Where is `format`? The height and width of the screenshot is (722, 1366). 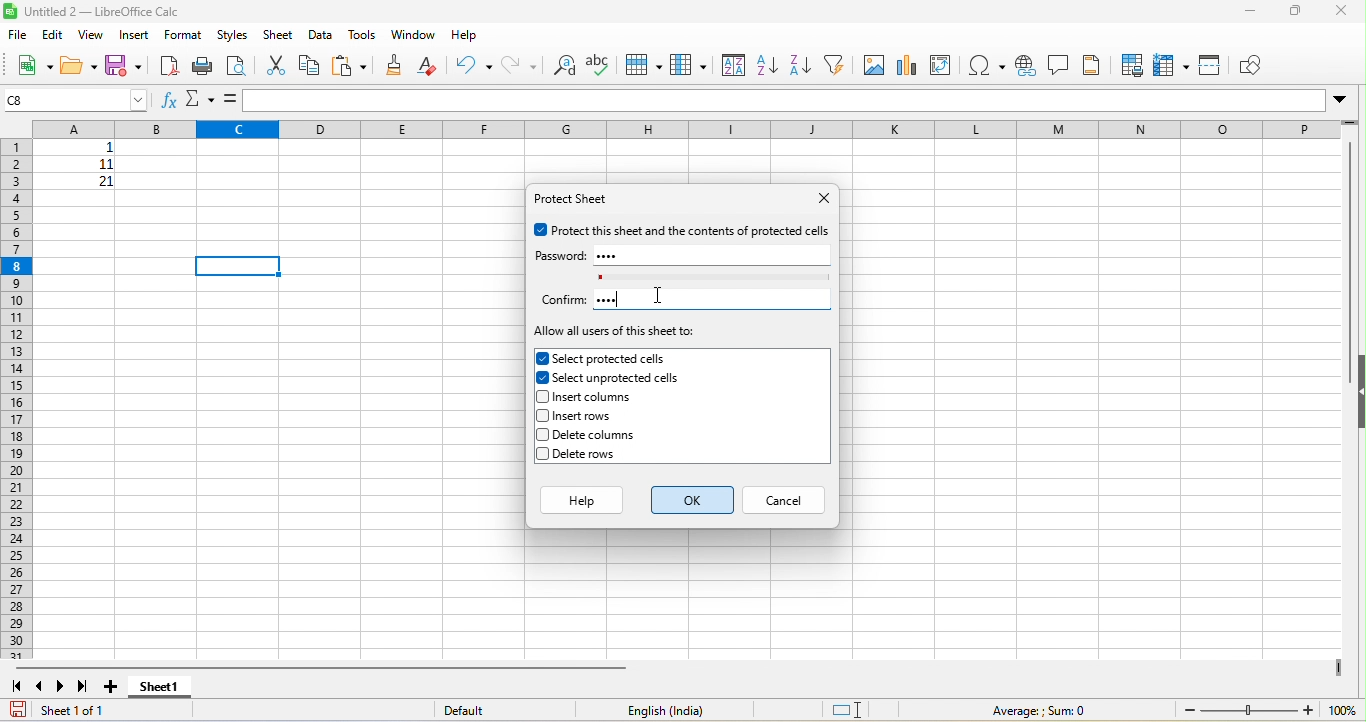 format is located at coordinates (184, 36).